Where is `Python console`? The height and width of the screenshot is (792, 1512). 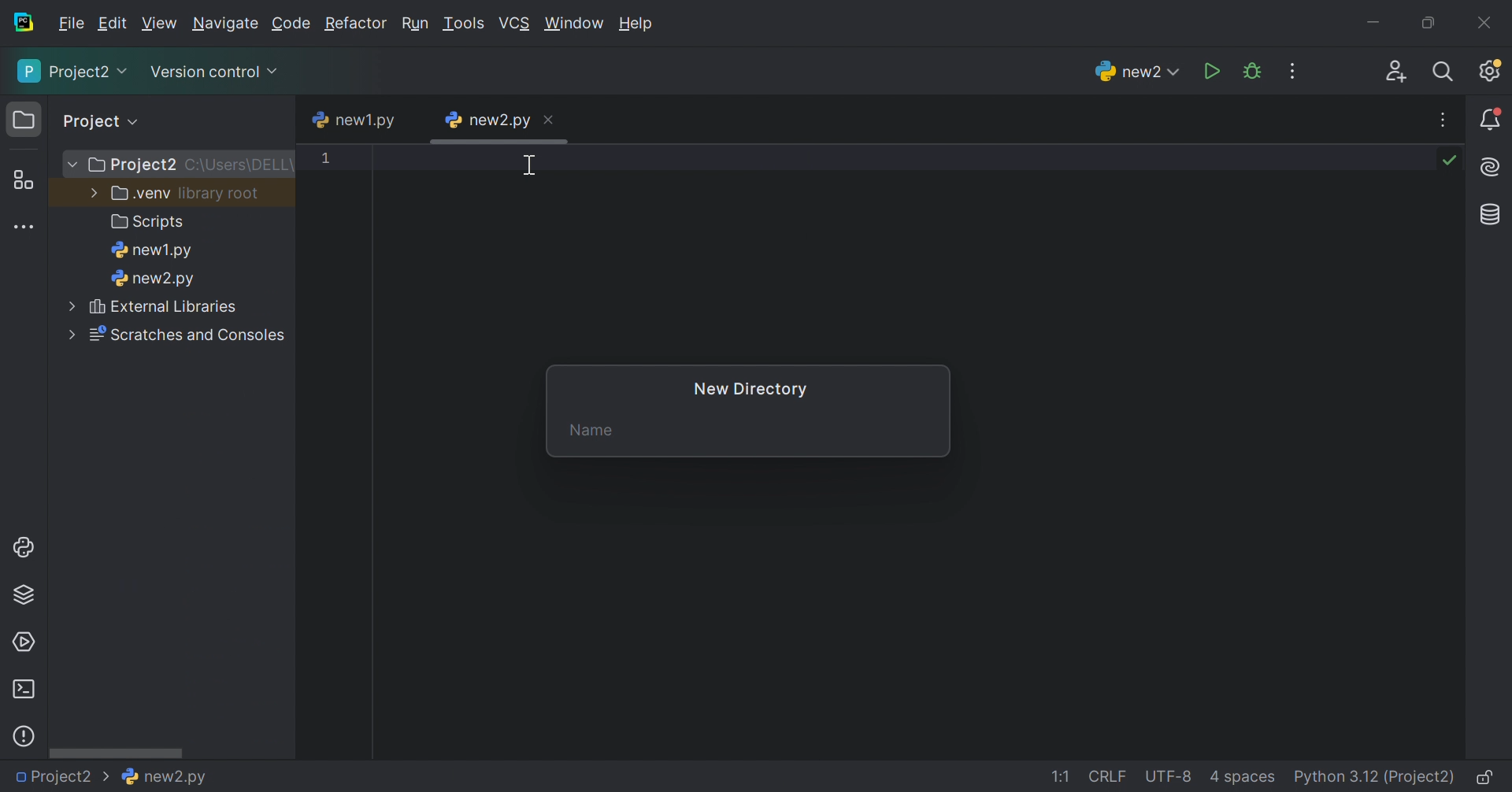 Python console is located at coordinates (21, 547).